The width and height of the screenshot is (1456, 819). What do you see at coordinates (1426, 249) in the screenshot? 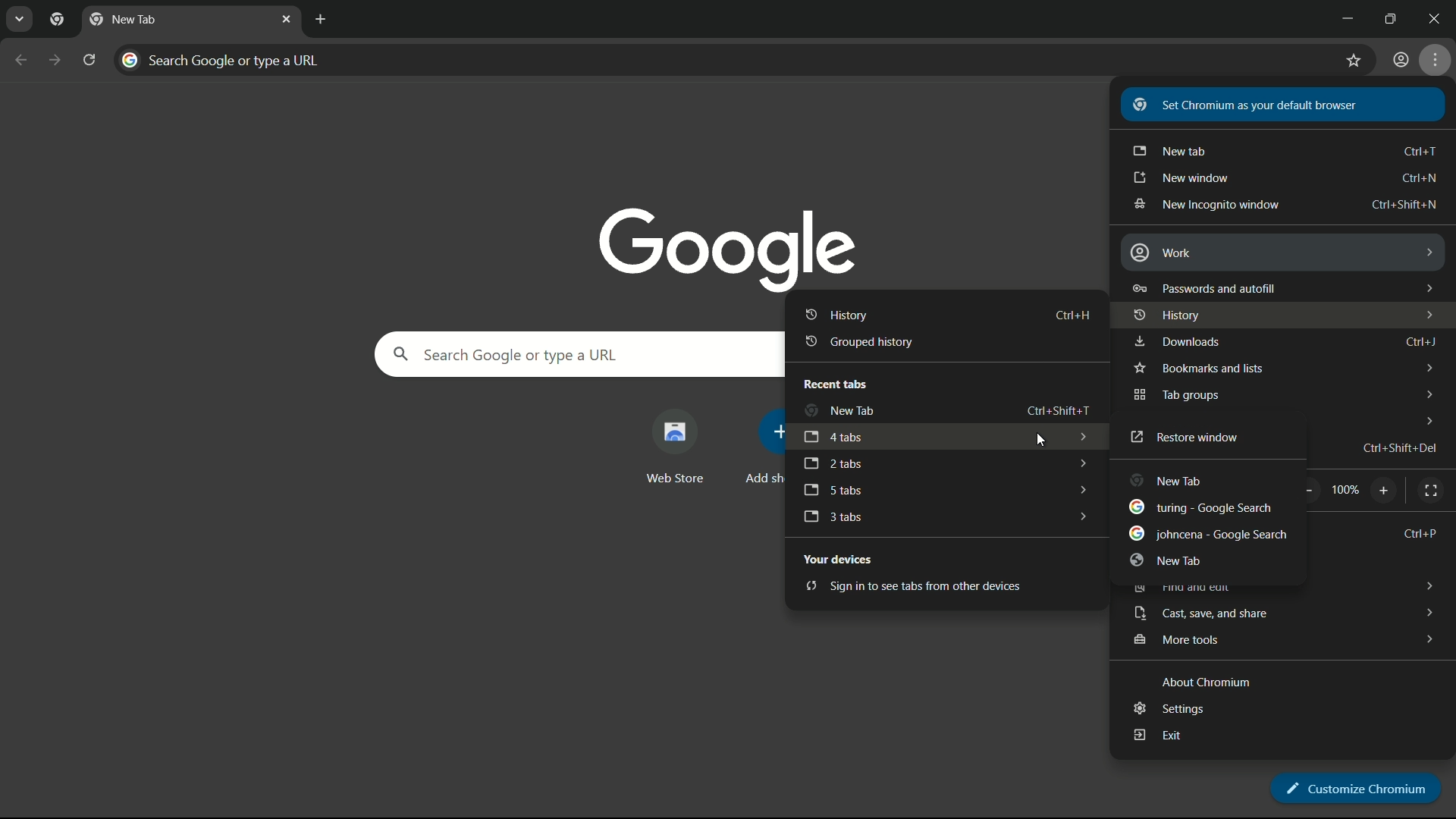
I see `dropdown arrows` at bounding box center [1426, 249].